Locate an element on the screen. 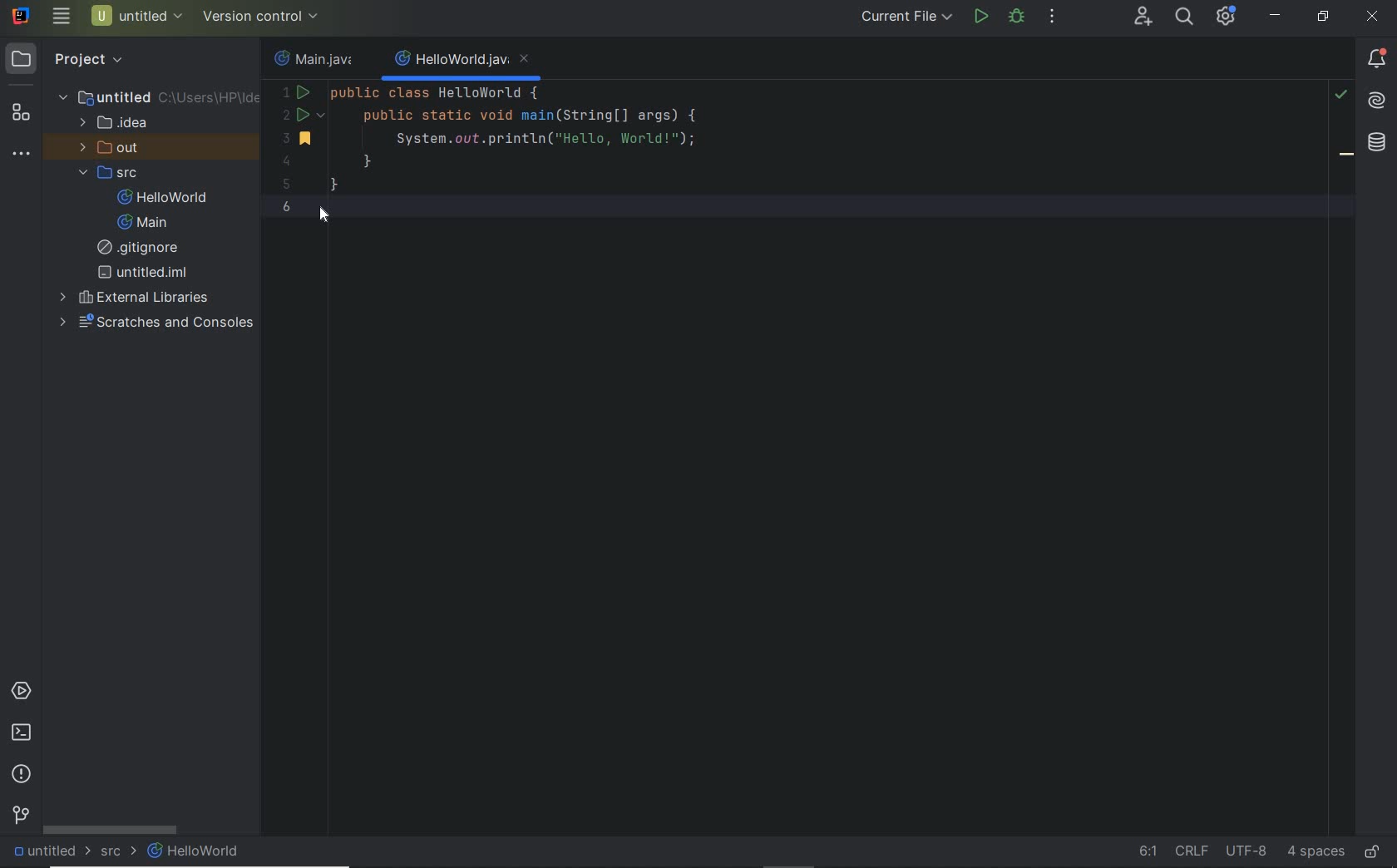 Image resolution: width=1397 pixels, height=868 pixels. highlight problems is located at coordinates (1340, 95).